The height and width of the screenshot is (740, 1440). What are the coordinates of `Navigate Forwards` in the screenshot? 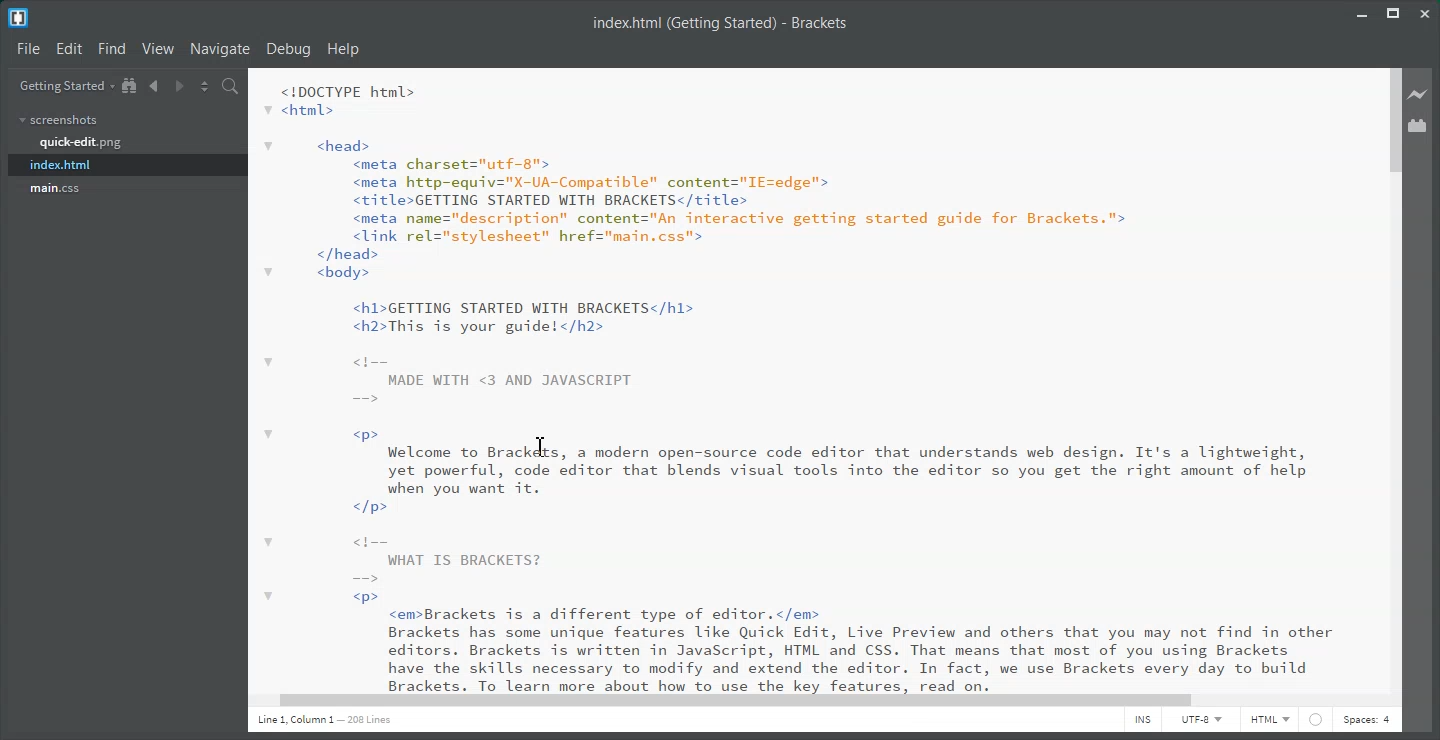 It's located at (180, 86).